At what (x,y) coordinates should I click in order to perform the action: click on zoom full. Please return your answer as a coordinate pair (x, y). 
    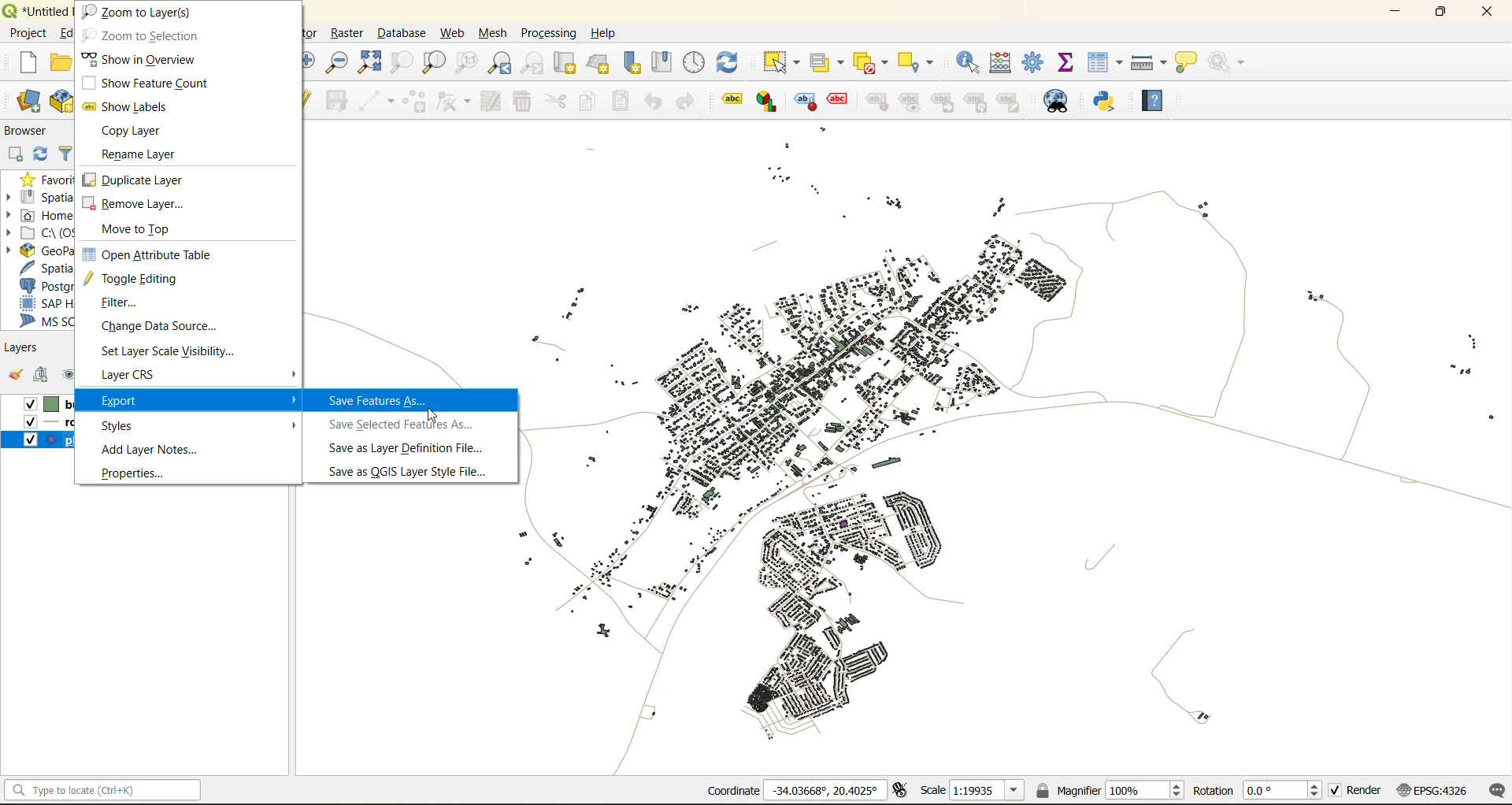
    Looking at the image, I should click on (369, 63).